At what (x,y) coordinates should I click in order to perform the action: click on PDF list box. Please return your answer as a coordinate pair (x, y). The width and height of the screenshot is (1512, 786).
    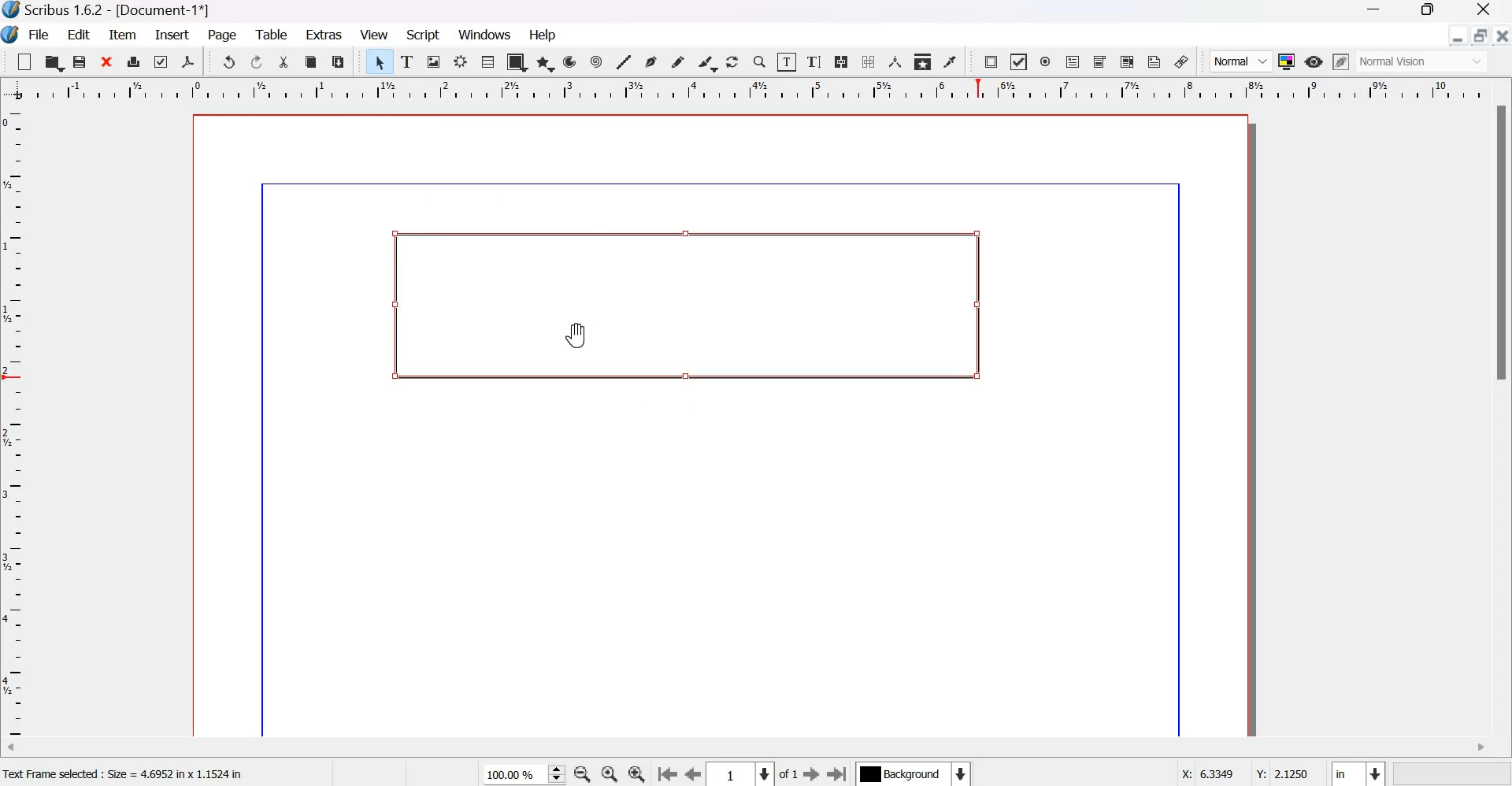
    Looking at the image, I should click on (1128, 61).